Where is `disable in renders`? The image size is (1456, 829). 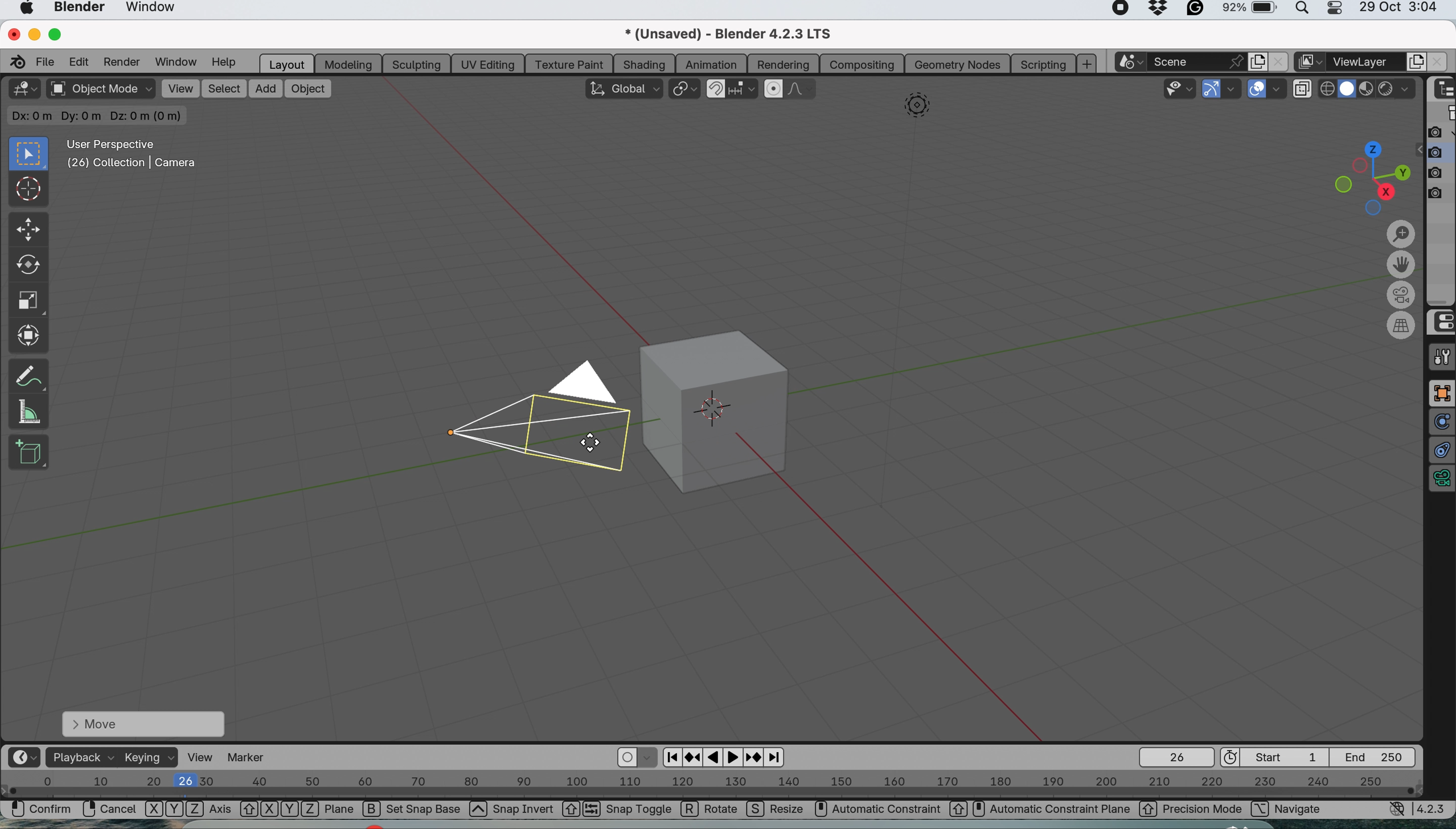
disable in renders is located at coordinates (1441, 172).